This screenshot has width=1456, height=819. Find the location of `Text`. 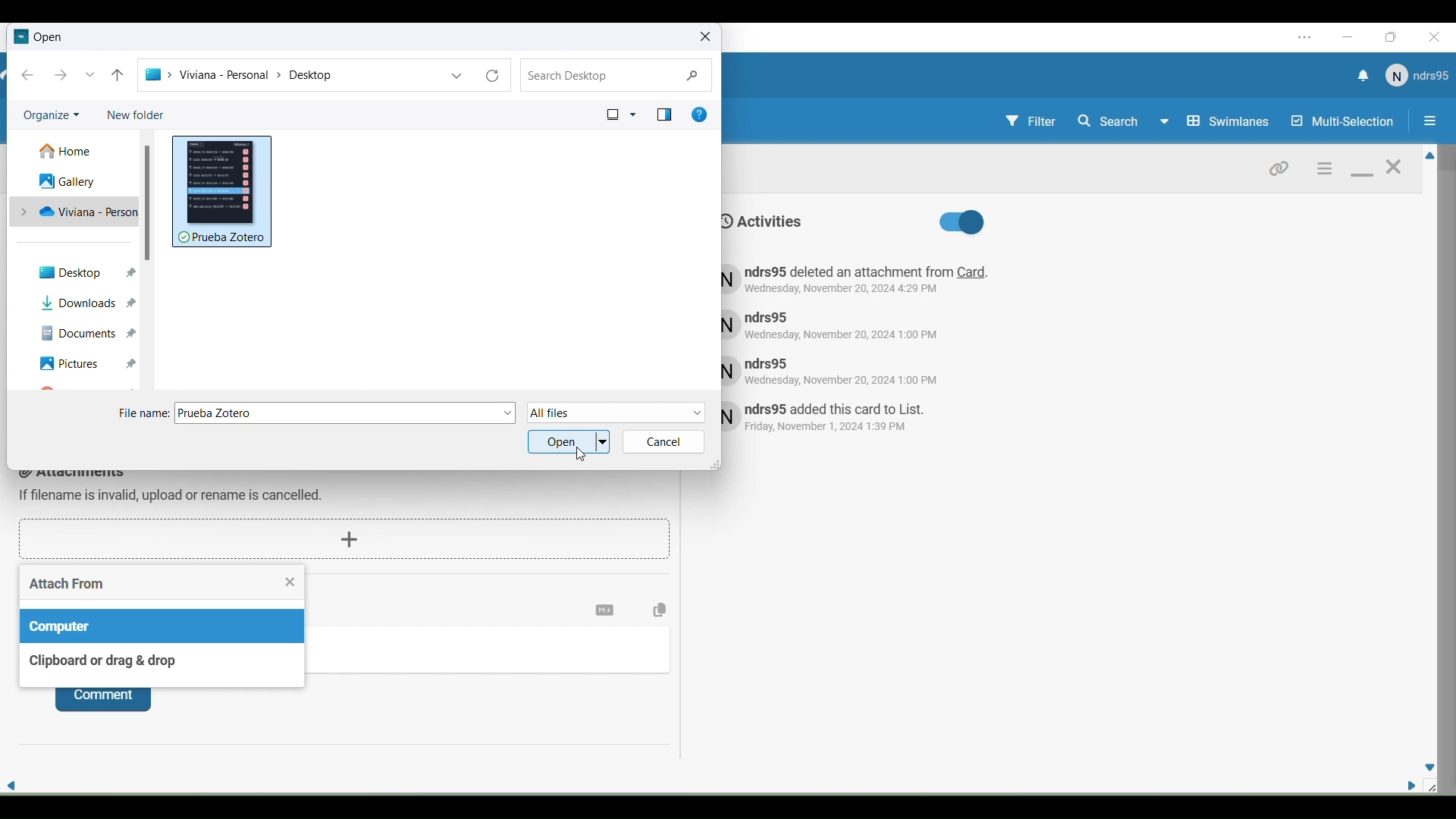

Text is located at coordinates (858, 280).